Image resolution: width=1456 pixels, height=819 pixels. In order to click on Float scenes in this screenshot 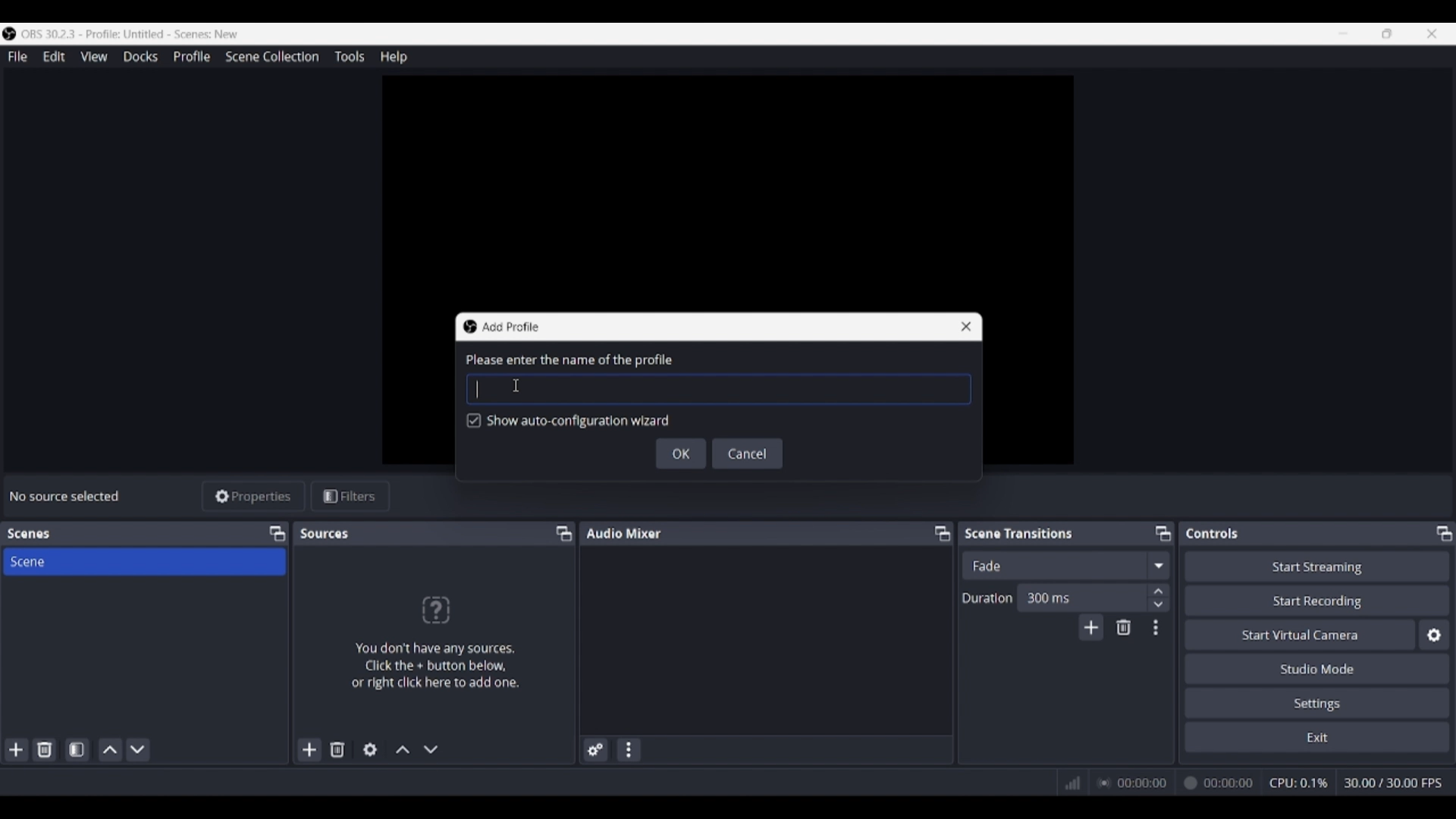, I will do `click(277, 534)`.